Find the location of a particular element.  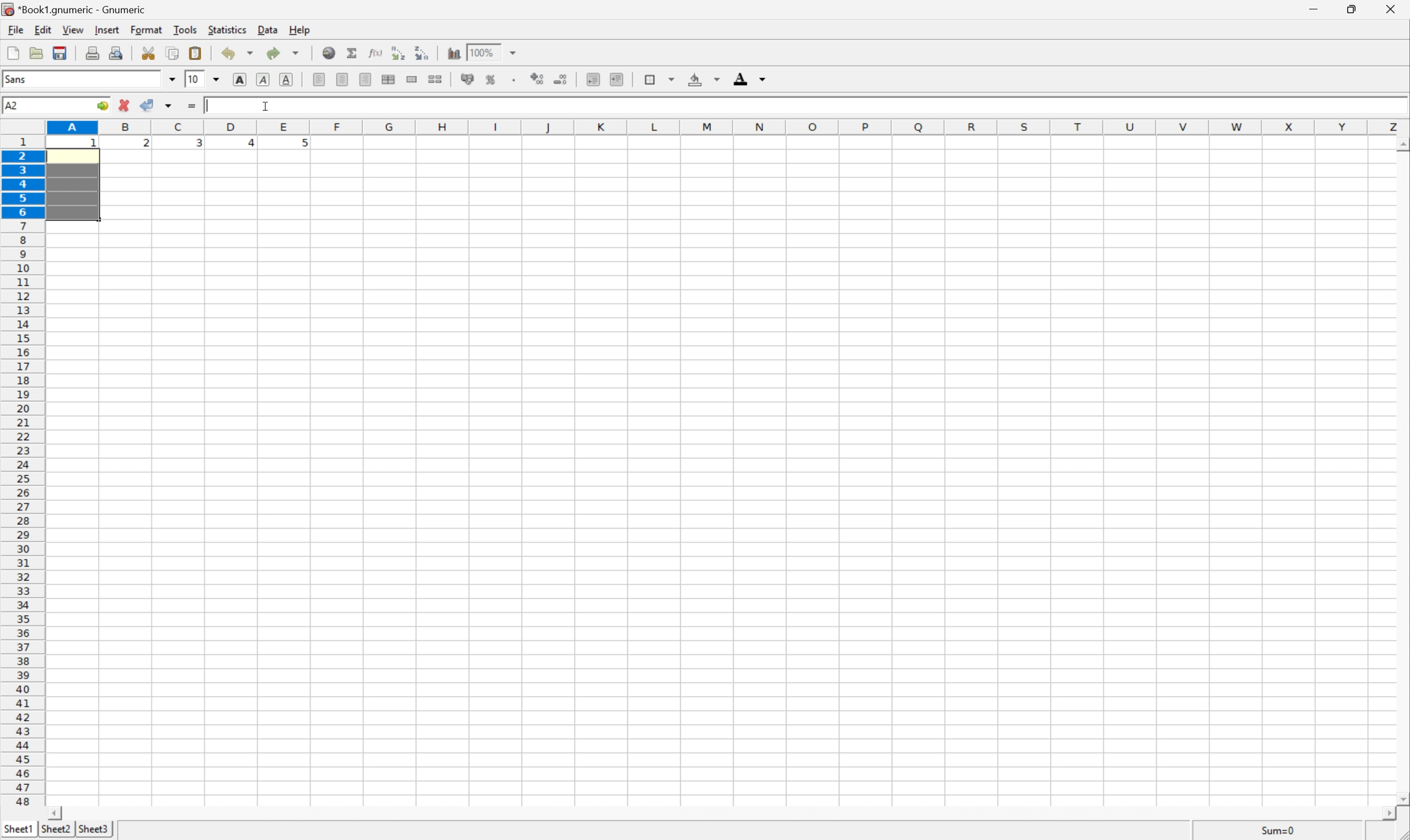

5 is located at coordinates (302, 145).